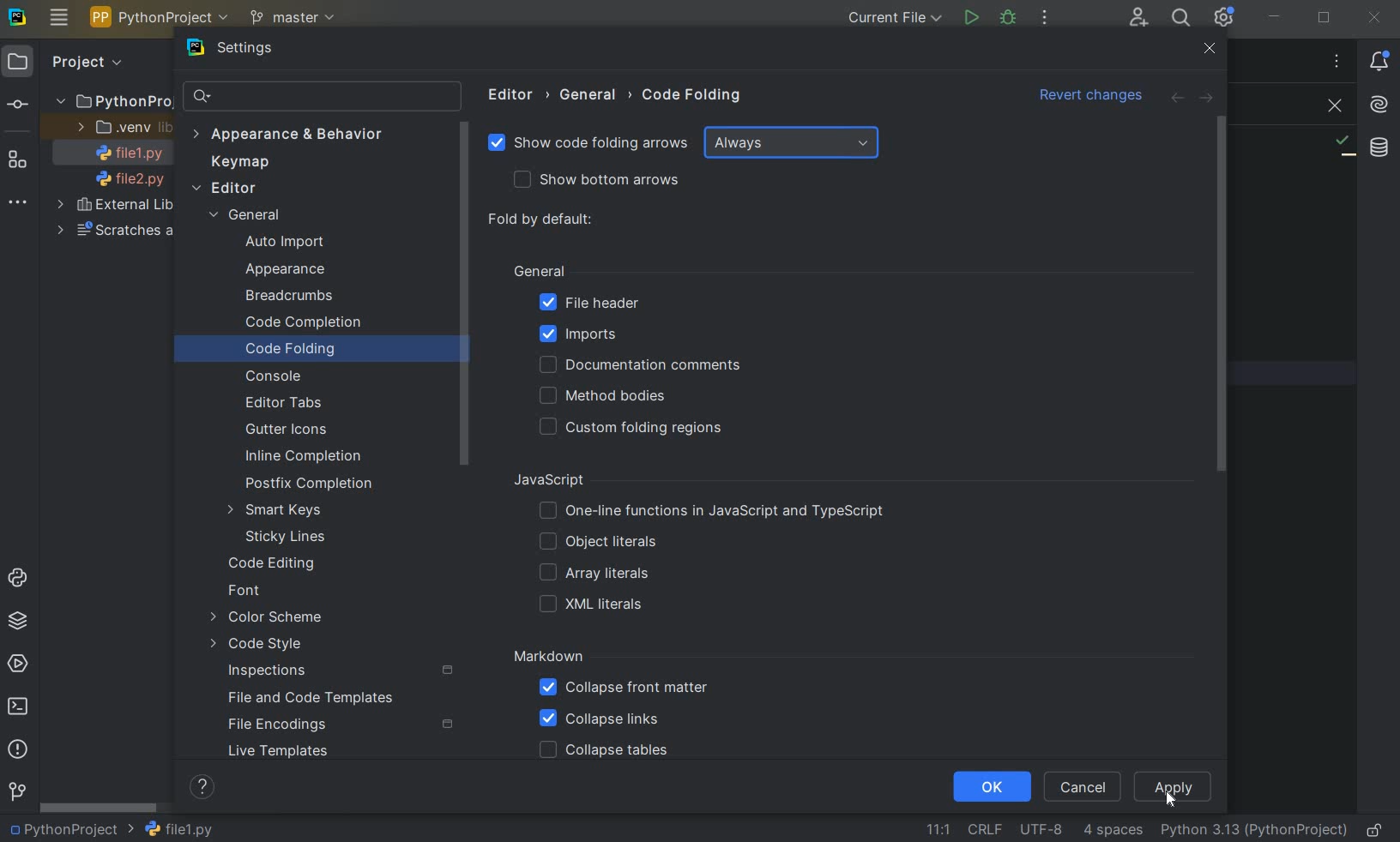  Describe the element at coordinates (1175, 801) in the screenshot. I see `Cursor Position` at that location.